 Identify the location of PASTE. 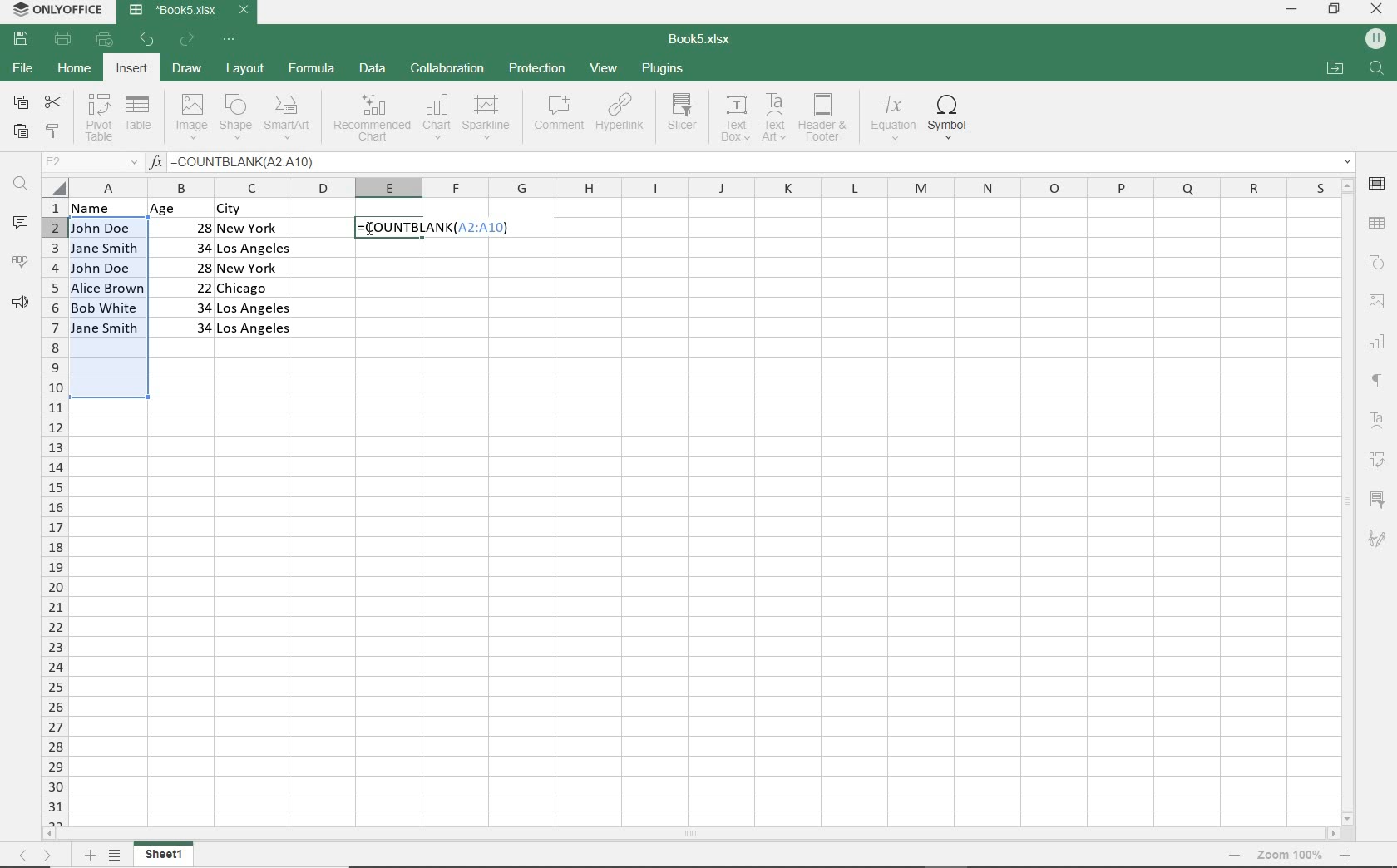
(22, 133).